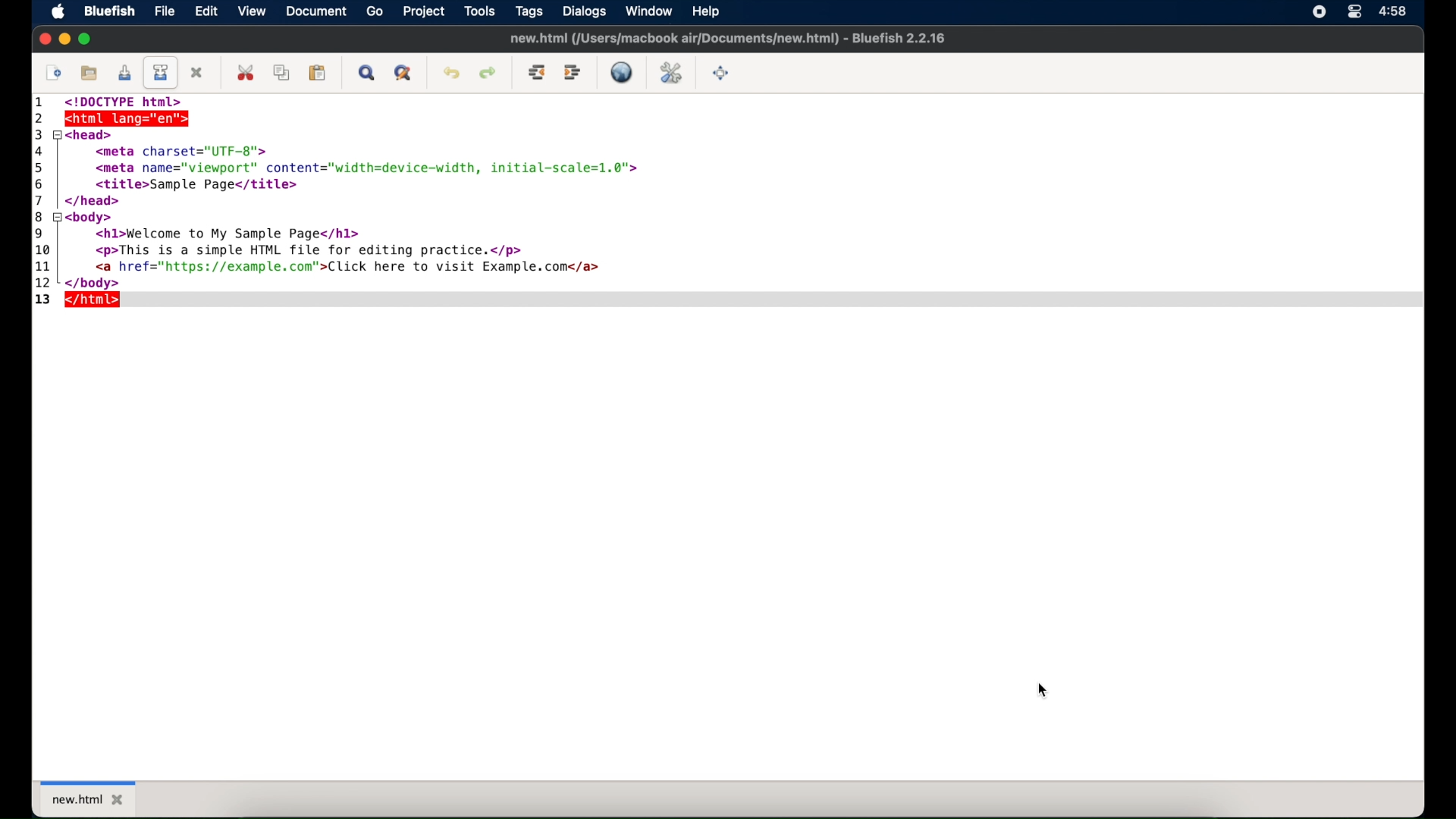  I want to click on undo, so click(451, 74).